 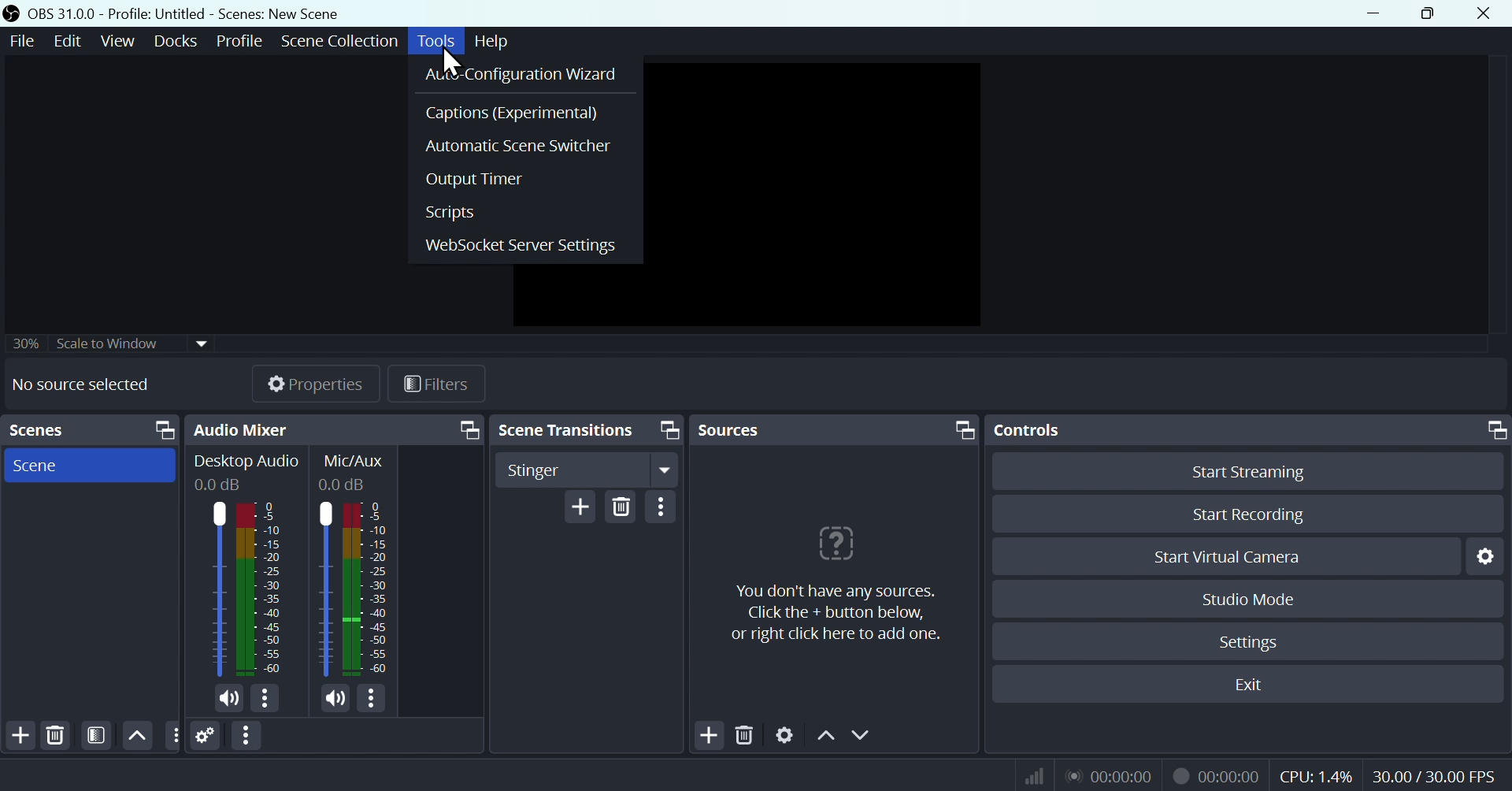 What do you see at coordinates (1108, 775) in the screenshot?
I see `Audio recorder` at bounding box center [1108, 775].